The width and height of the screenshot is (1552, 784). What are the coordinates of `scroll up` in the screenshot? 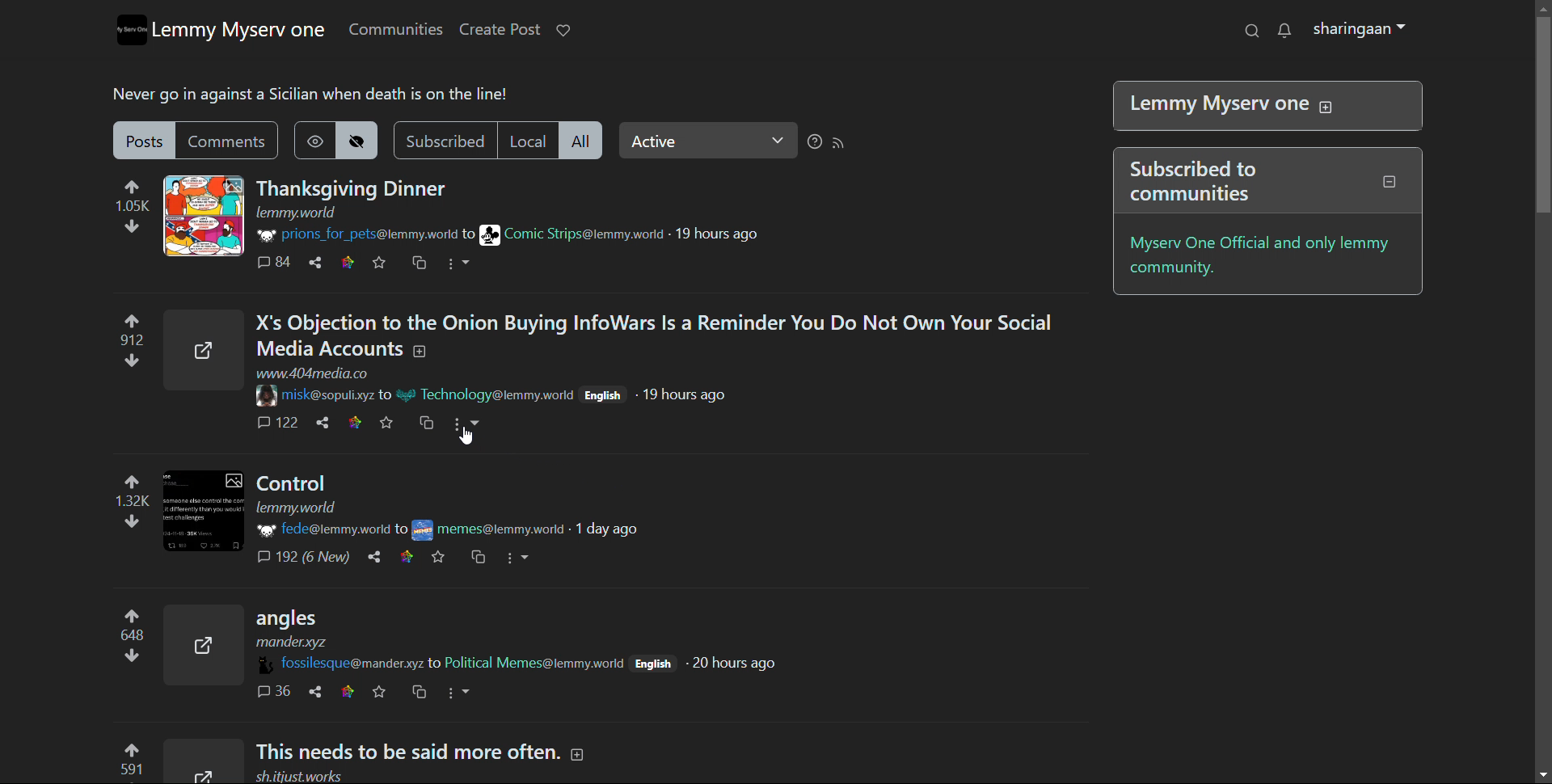 It's located at (1542, 6).